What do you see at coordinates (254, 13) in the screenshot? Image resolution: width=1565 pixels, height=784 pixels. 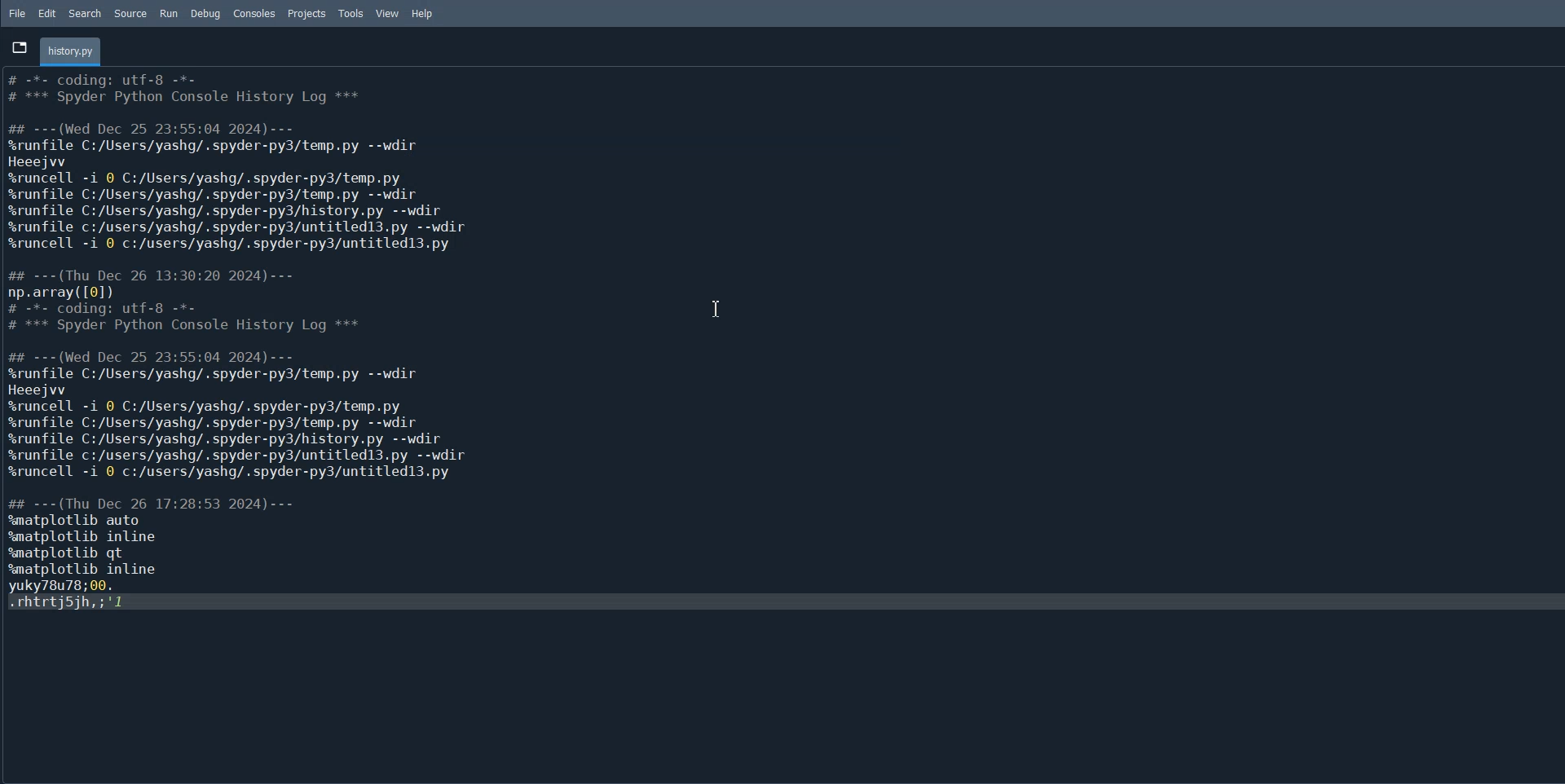 I see `Consoles` at bounding box center [254, 13].